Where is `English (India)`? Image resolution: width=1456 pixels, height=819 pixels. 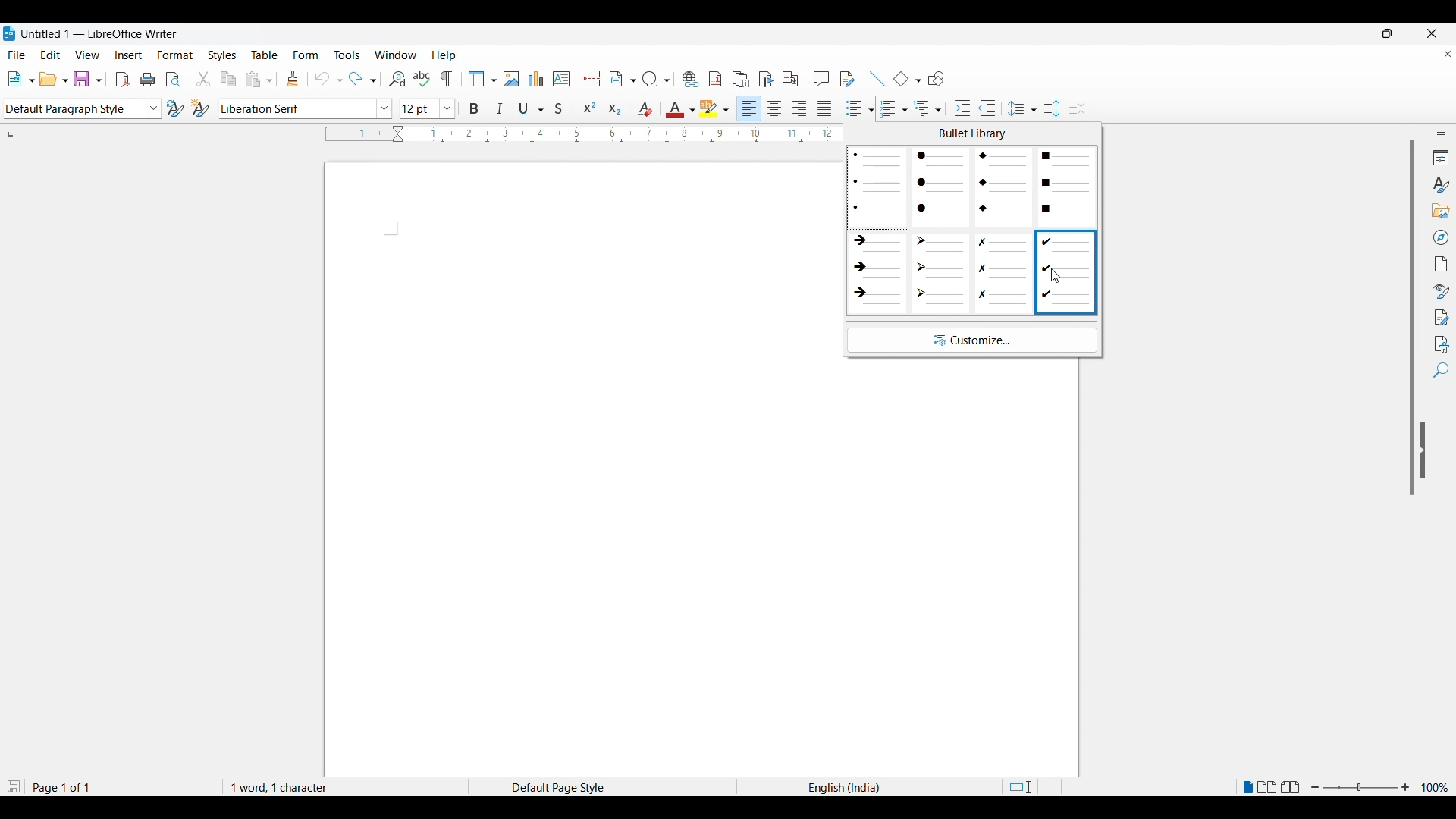
English (India) is located at coordinates (853, 786).